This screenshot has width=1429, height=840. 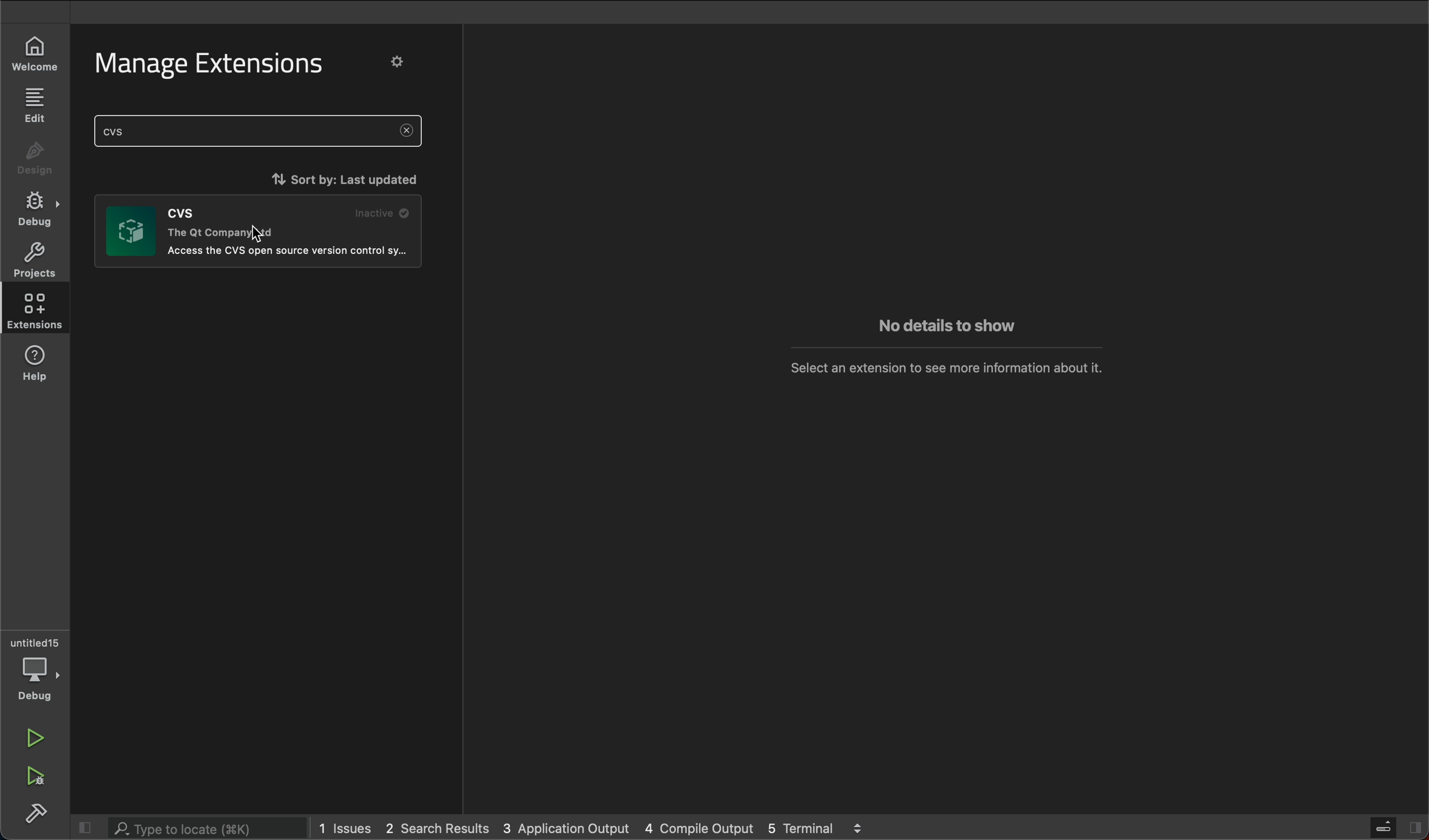 What do you see at coordinates (947, 366) in the screenshot?
I see `no extension message` at bounding box center [947, 366].